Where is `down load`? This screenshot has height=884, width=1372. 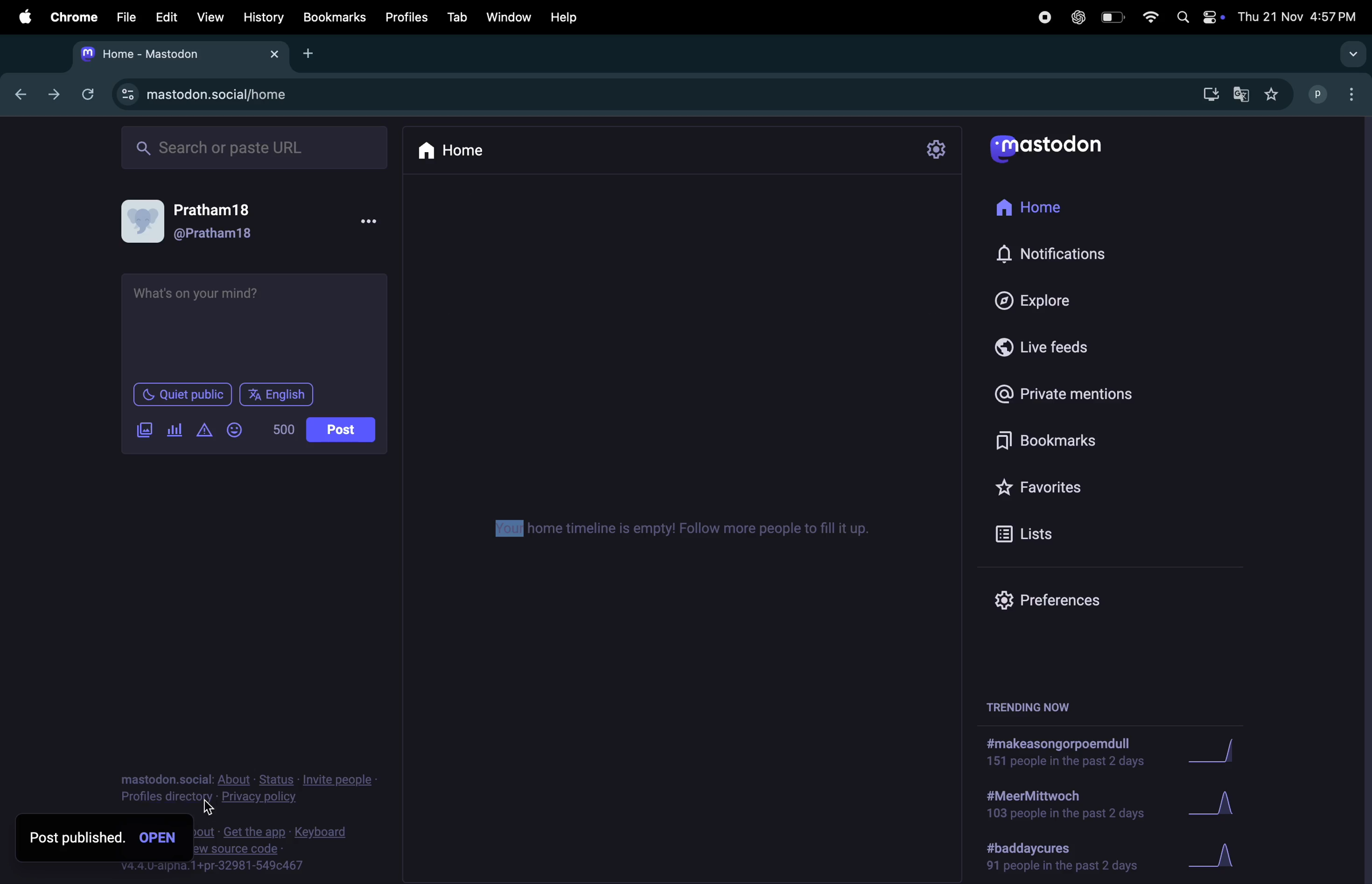 down load is located at coordinates (1205, 96).